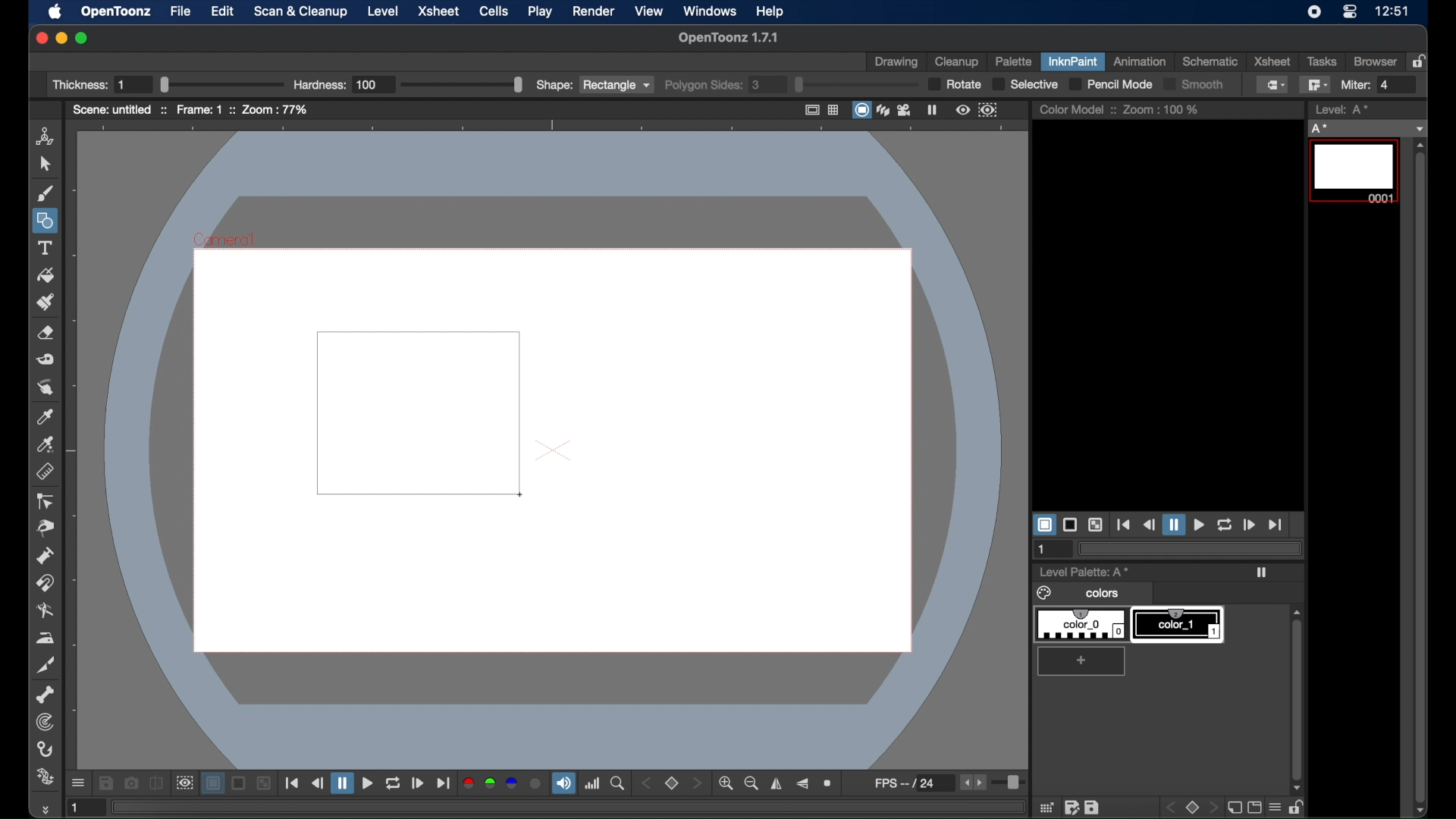  Describe the element at coordinates (1356, 171) in the screenshot. I see `level 0001` at that location.